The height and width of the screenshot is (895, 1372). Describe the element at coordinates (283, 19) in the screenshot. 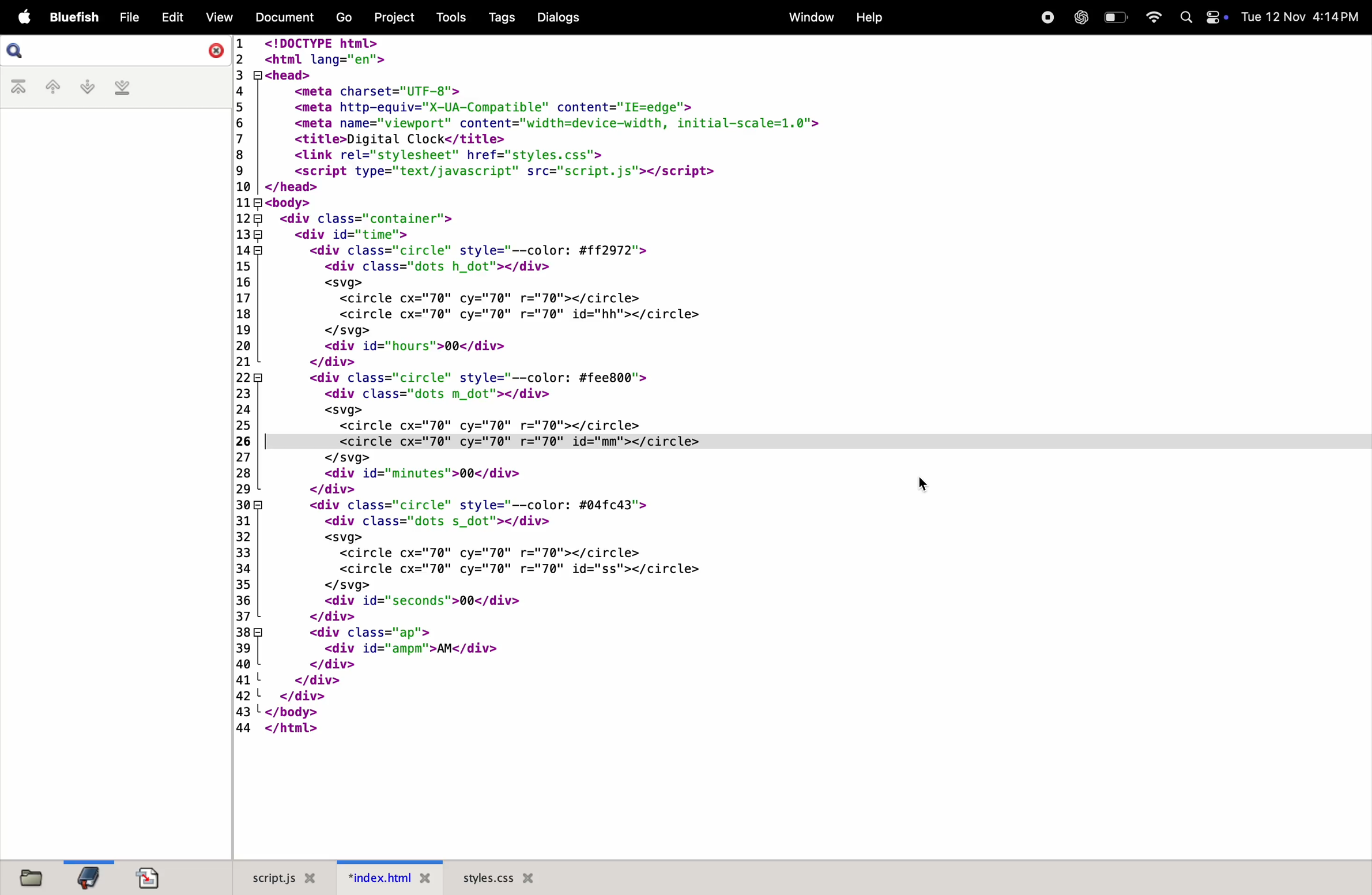

I see `document` at that location.